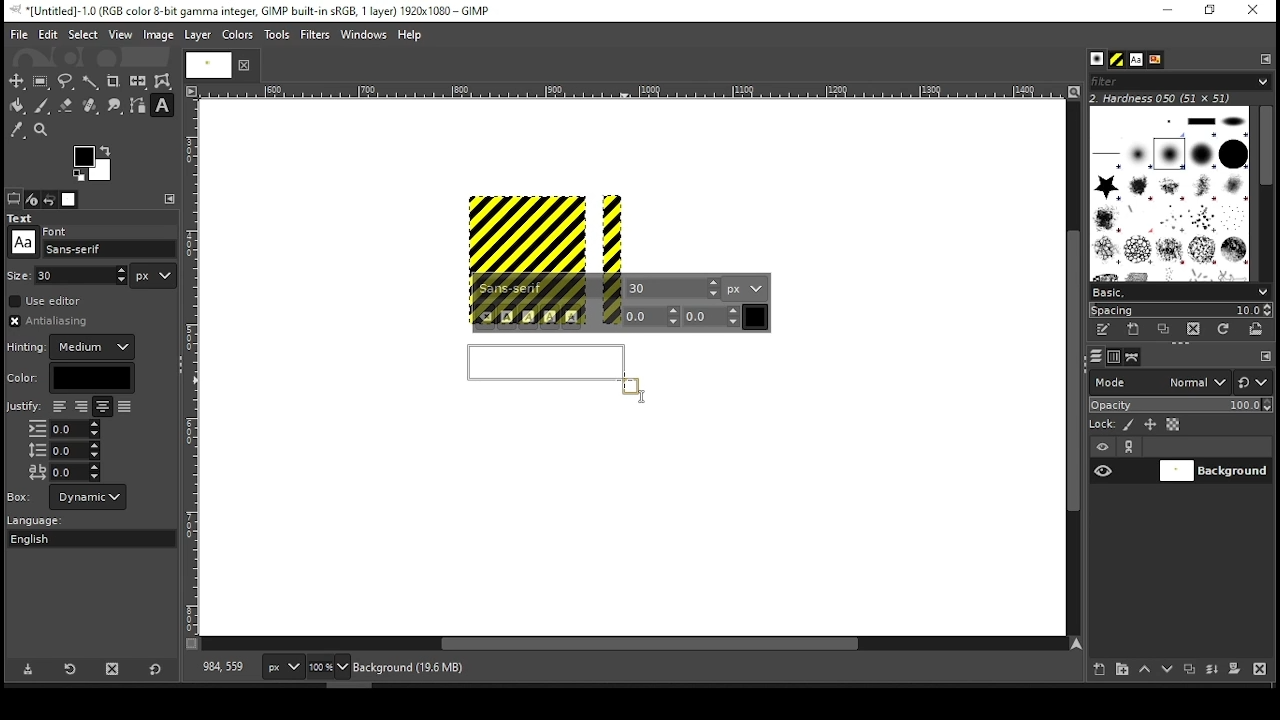 This screenshot has height=720, width=1280. Describe the element at coordinates (23, 242) in the screenshot. I see `` at that location.